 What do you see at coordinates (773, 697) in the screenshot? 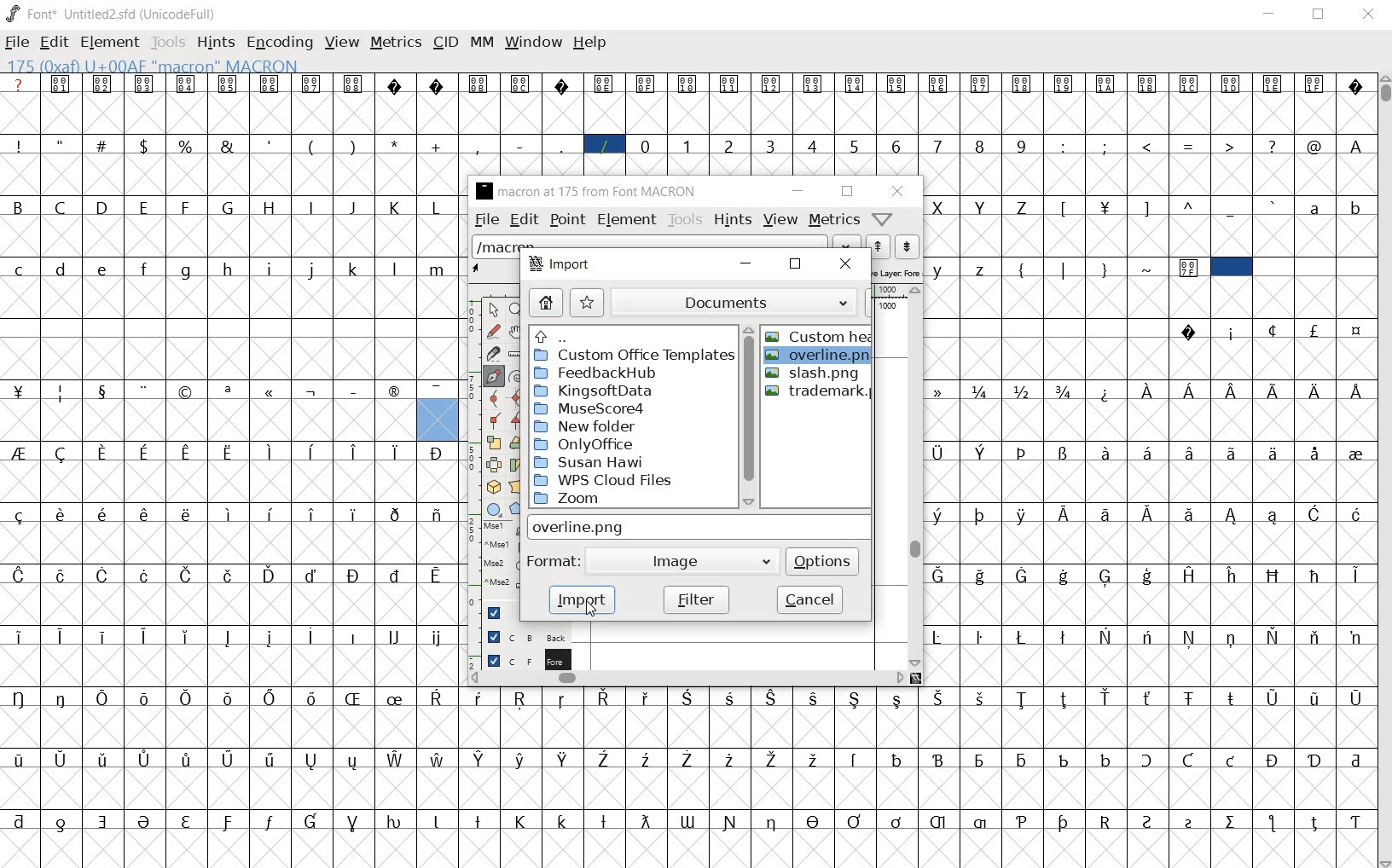
I see `Symbol` at bounding box center [773, 697].